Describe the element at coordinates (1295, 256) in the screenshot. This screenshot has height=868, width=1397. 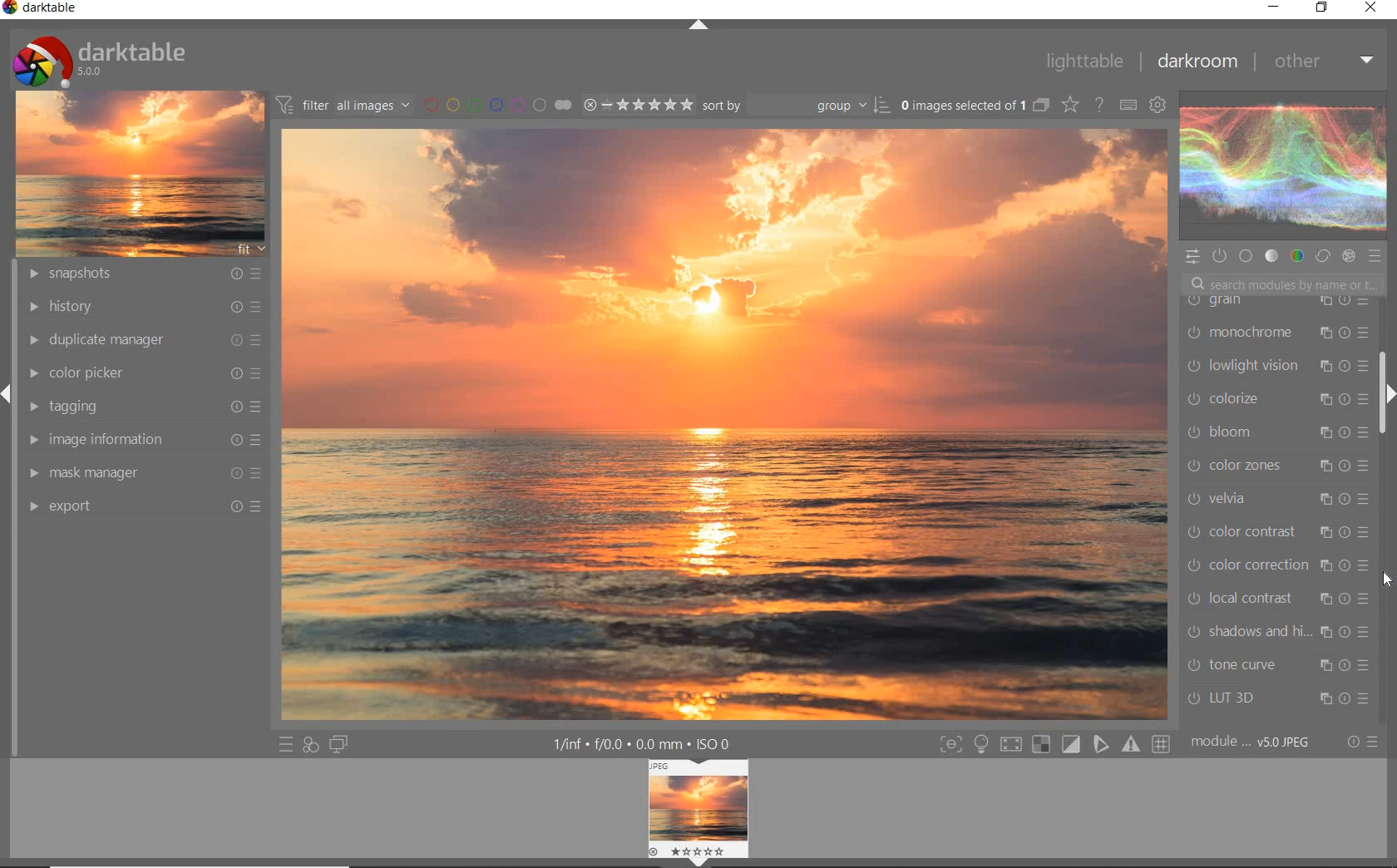
I see `COLOR` at that location.